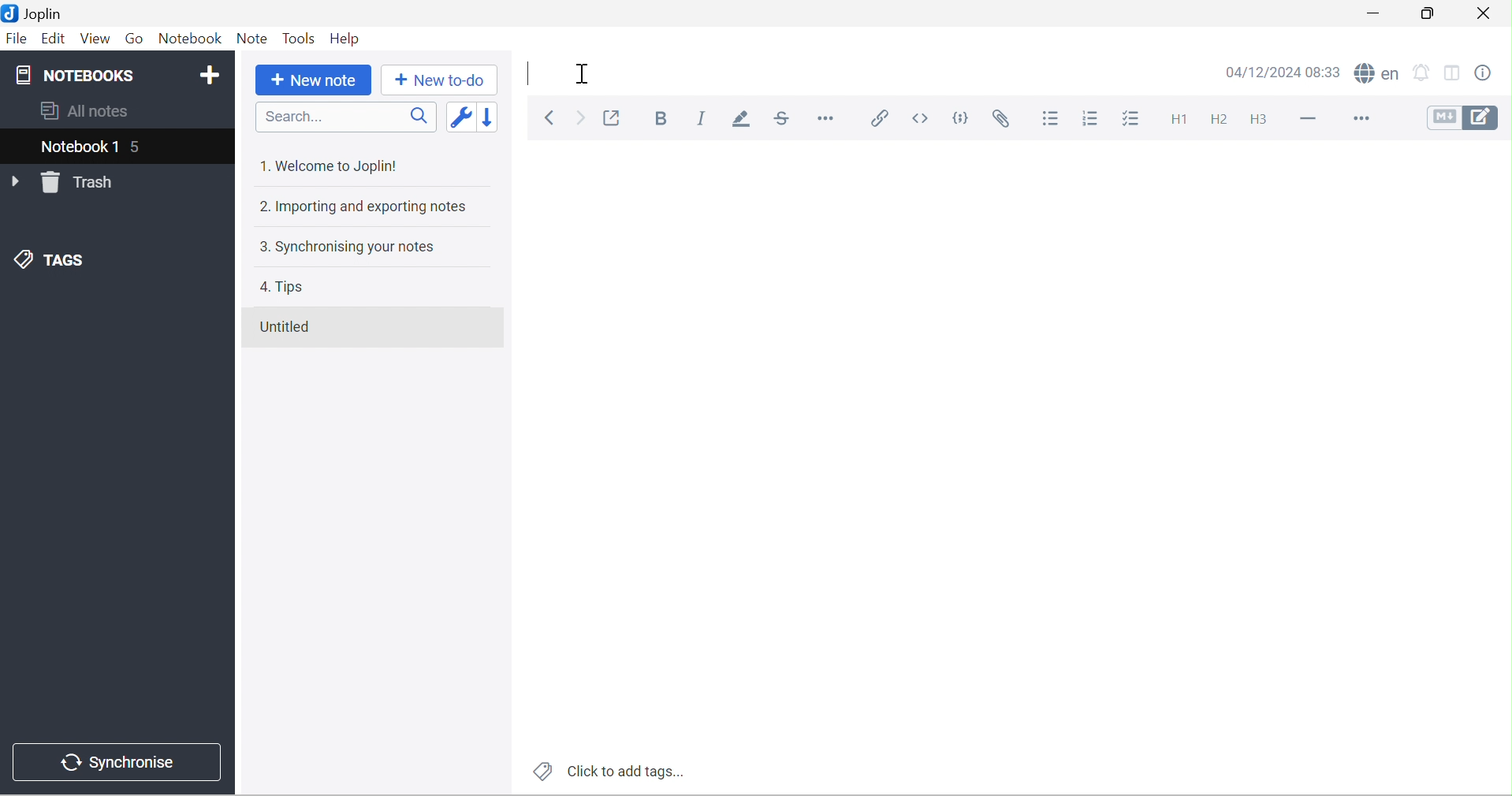  I want to click on TAGS, so click(50, 258).